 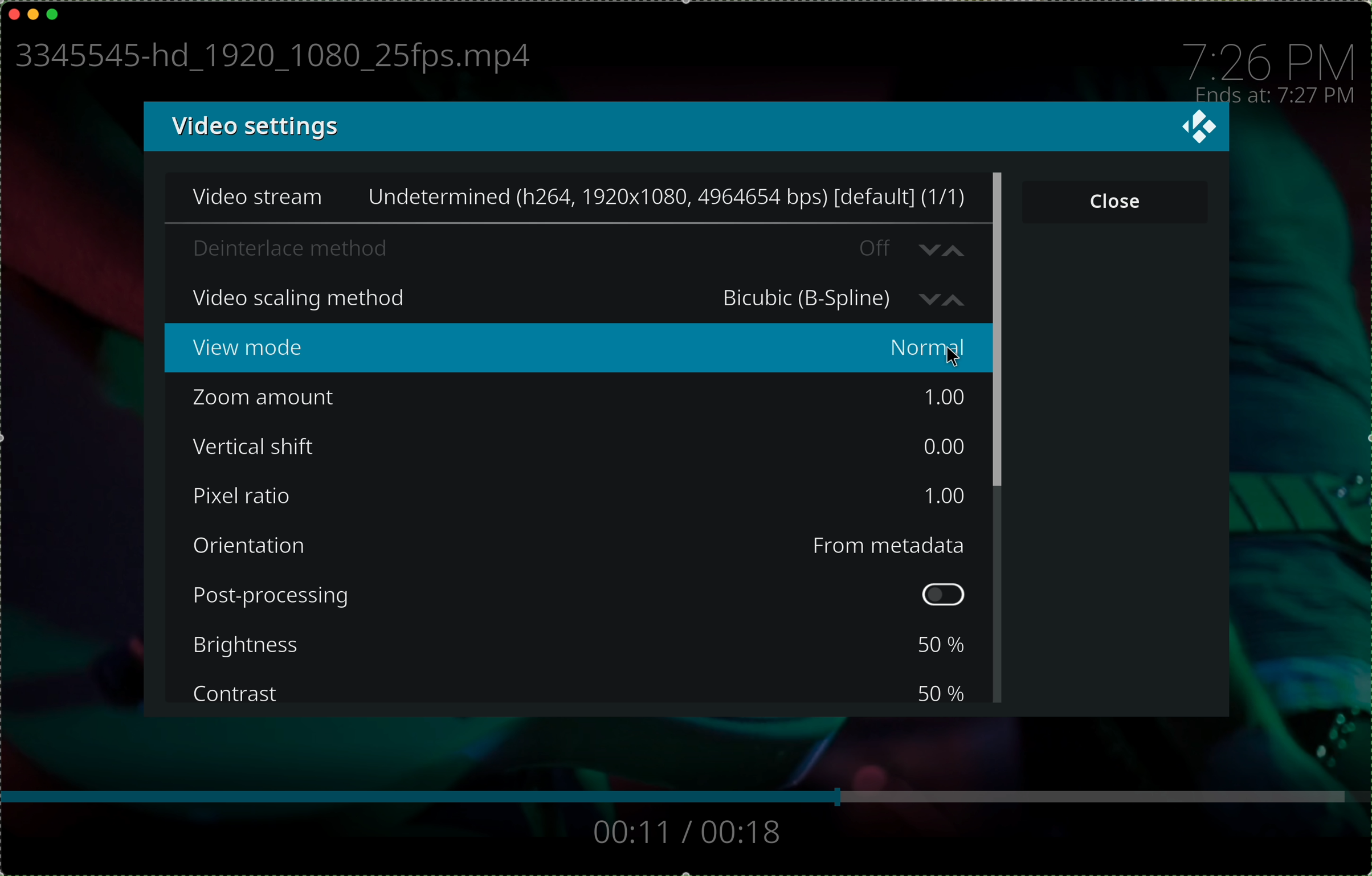 What do you see at coordinates (268, 58) in the screenshot?
I see `name file` at bounding box center [268, 58].